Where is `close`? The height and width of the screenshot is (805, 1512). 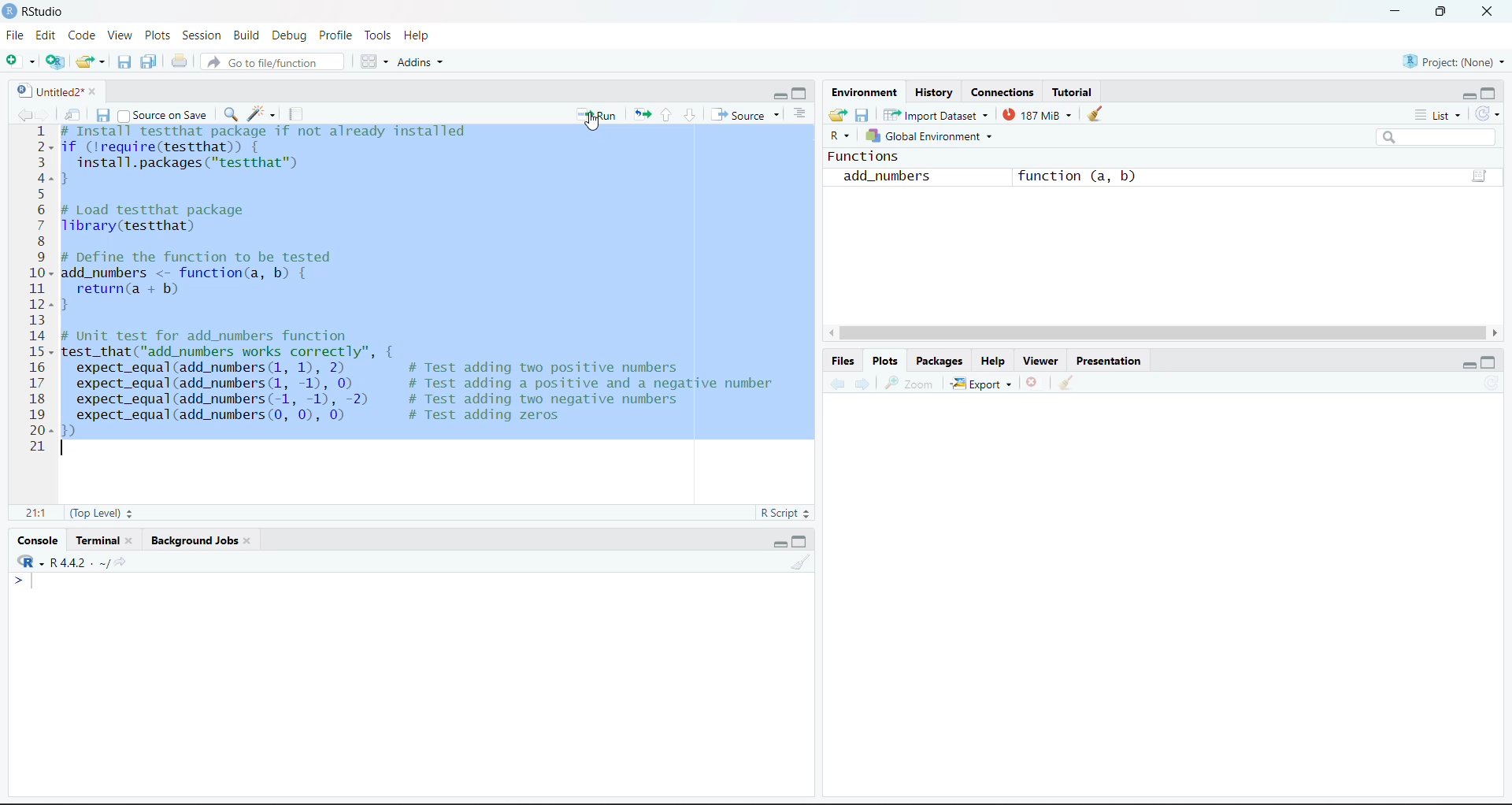 close is located at coordinates (1489, 12).